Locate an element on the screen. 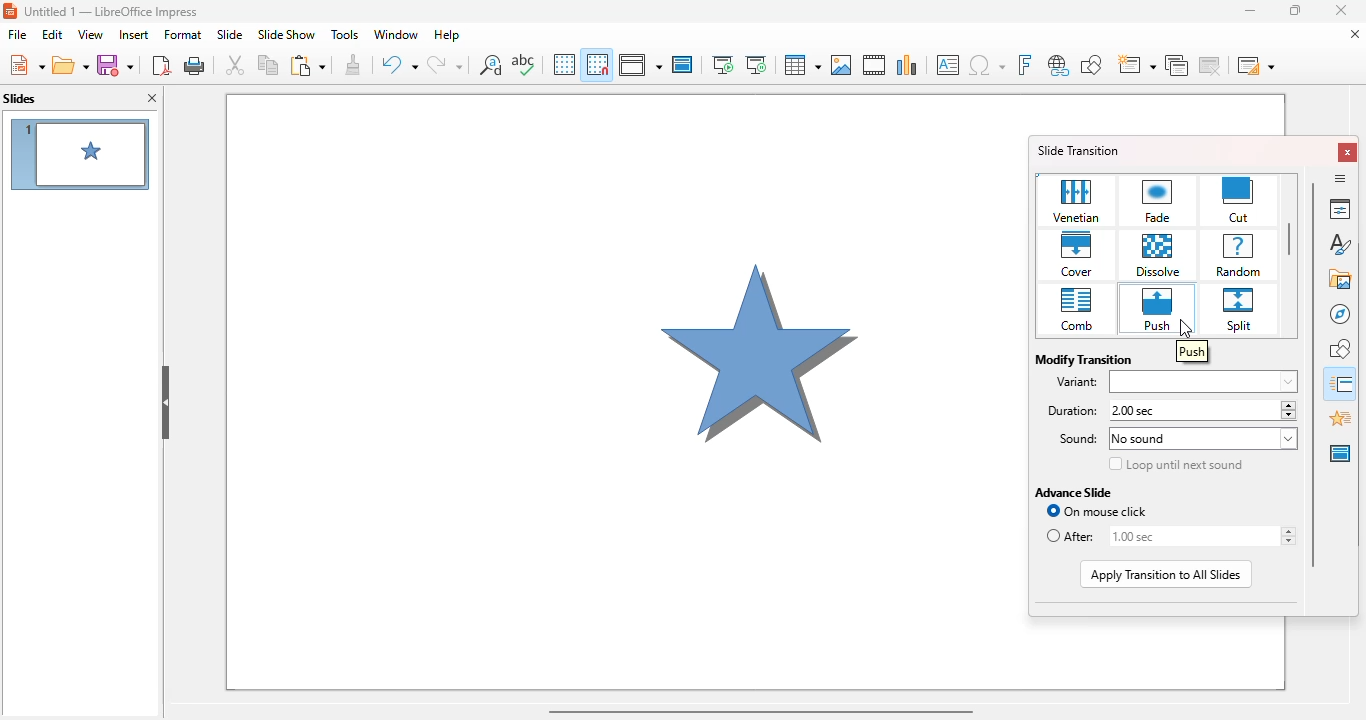 This screenshot has width=1366, height=720. duplicate slide is located at coordinates (1177, 66).